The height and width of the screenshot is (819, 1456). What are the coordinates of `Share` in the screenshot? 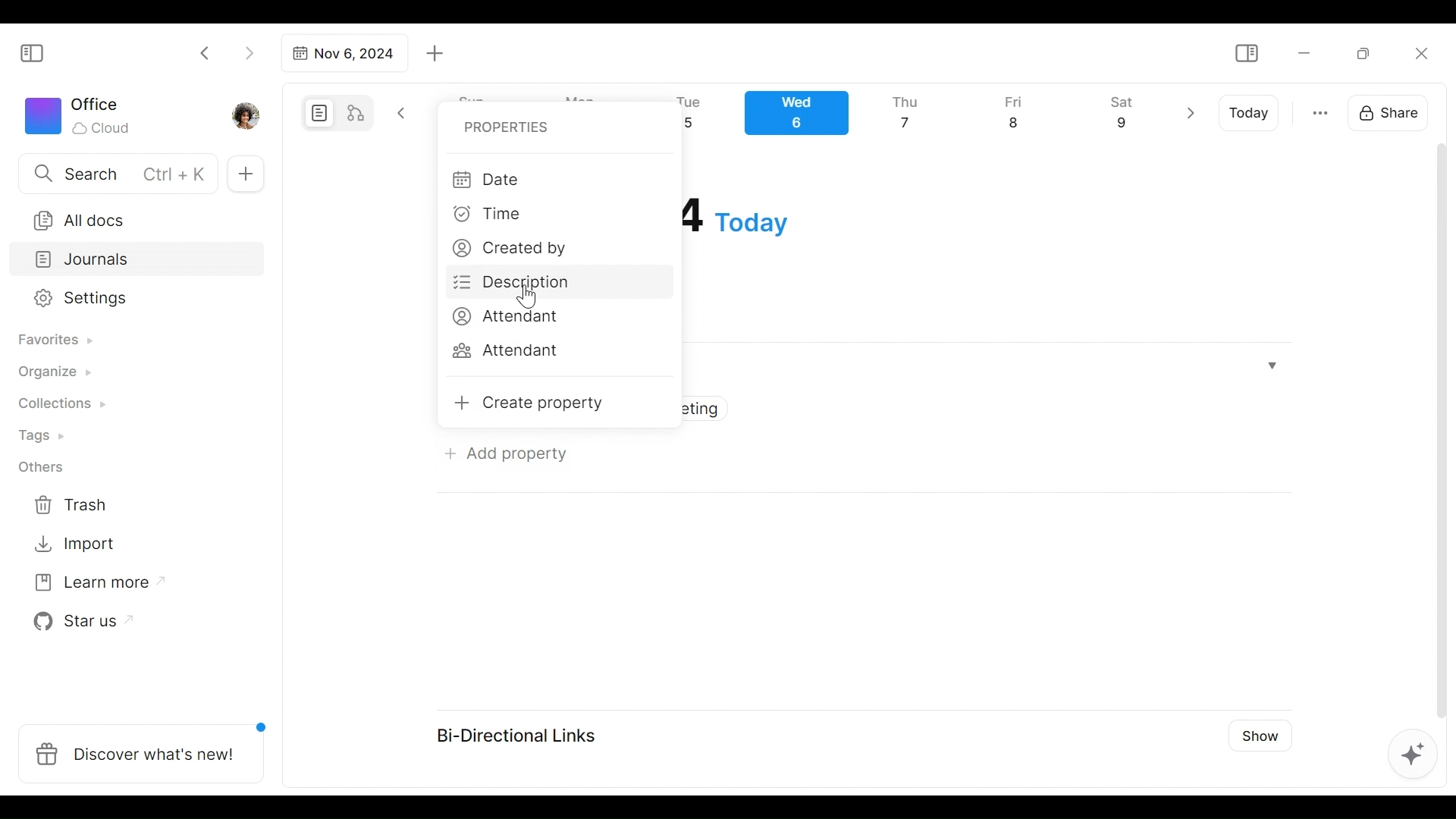 It's located at (1393, 111).